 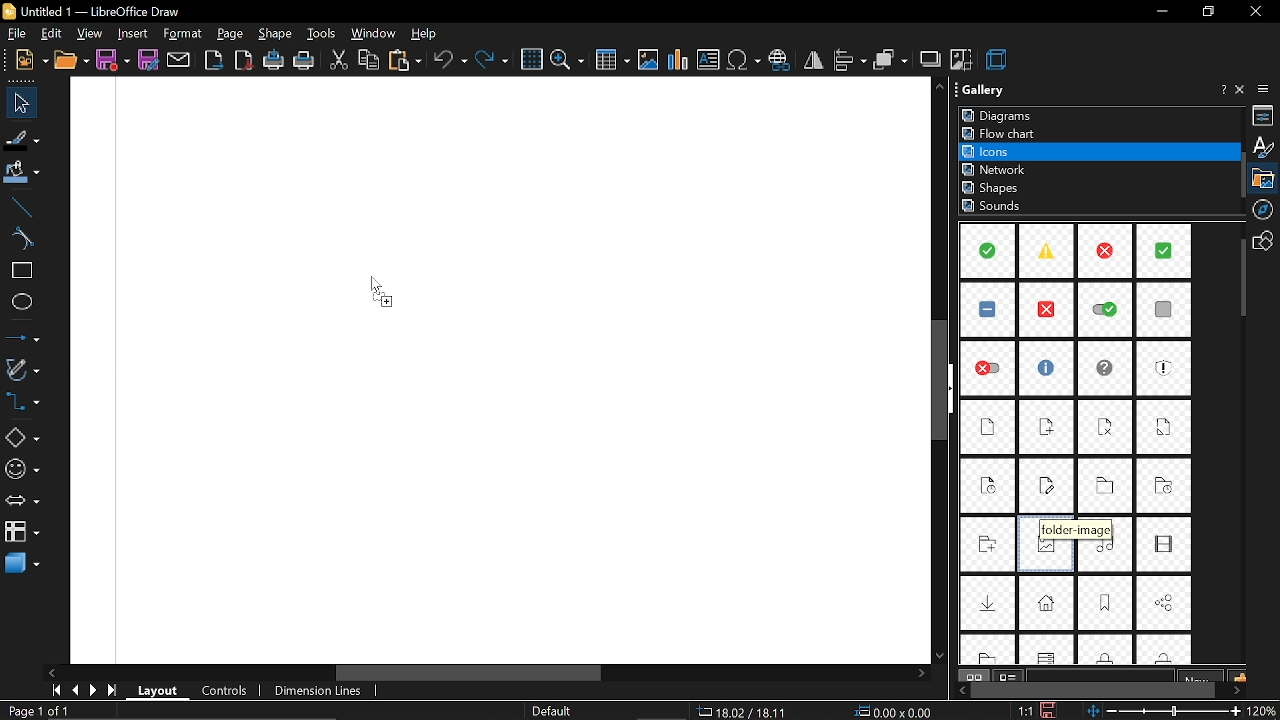 I want to click on gallery, so click(x=1266, y=178).